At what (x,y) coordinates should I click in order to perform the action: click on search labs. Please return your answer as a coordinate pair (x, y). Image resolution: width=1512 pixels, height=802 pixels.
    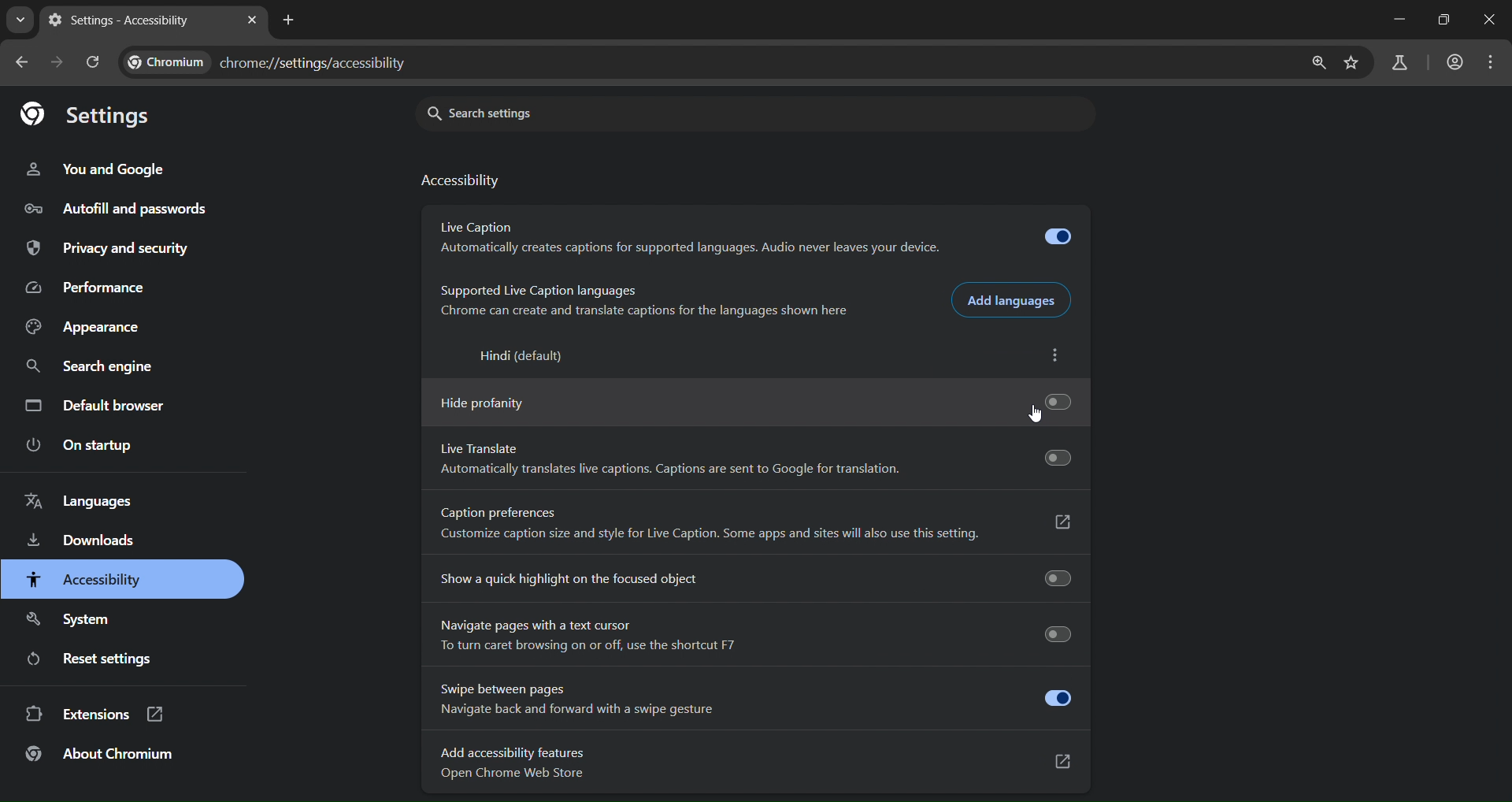
    Looking at the image, I should click on (1402, 62).